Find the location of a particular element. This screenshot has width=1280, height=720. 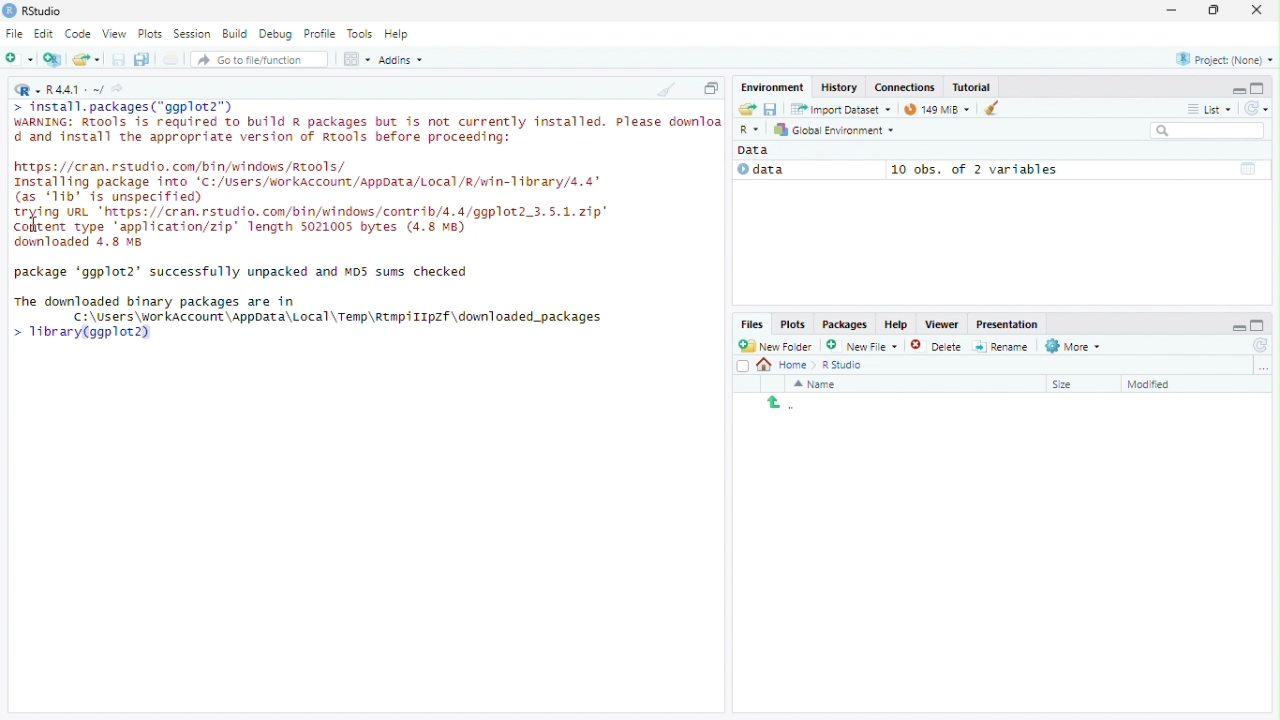

selected language - R is located at coordinates (750, 129).